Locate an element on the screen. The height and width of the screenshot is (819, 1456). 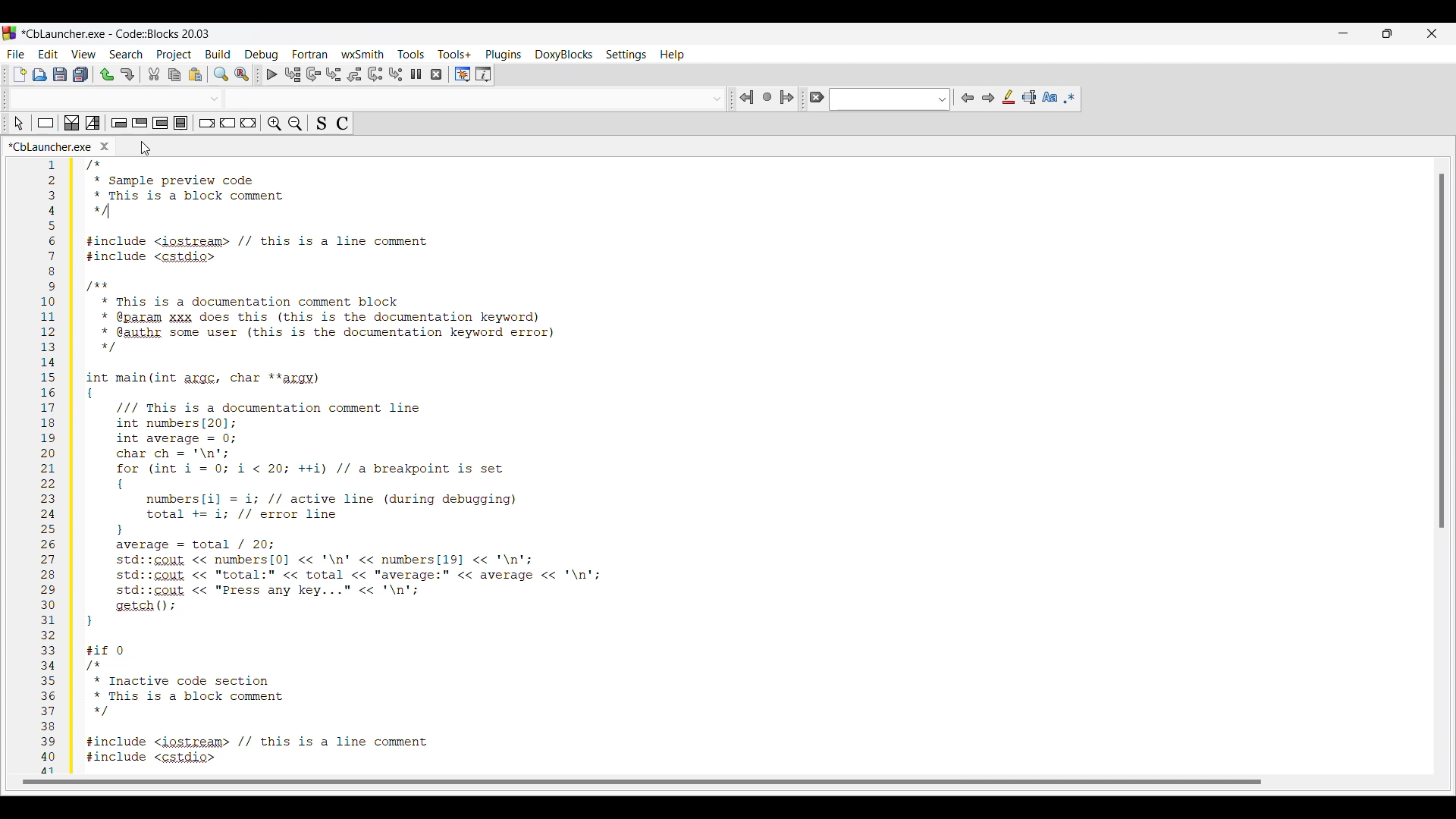
Return instruction is located at coordinates (249, 123).